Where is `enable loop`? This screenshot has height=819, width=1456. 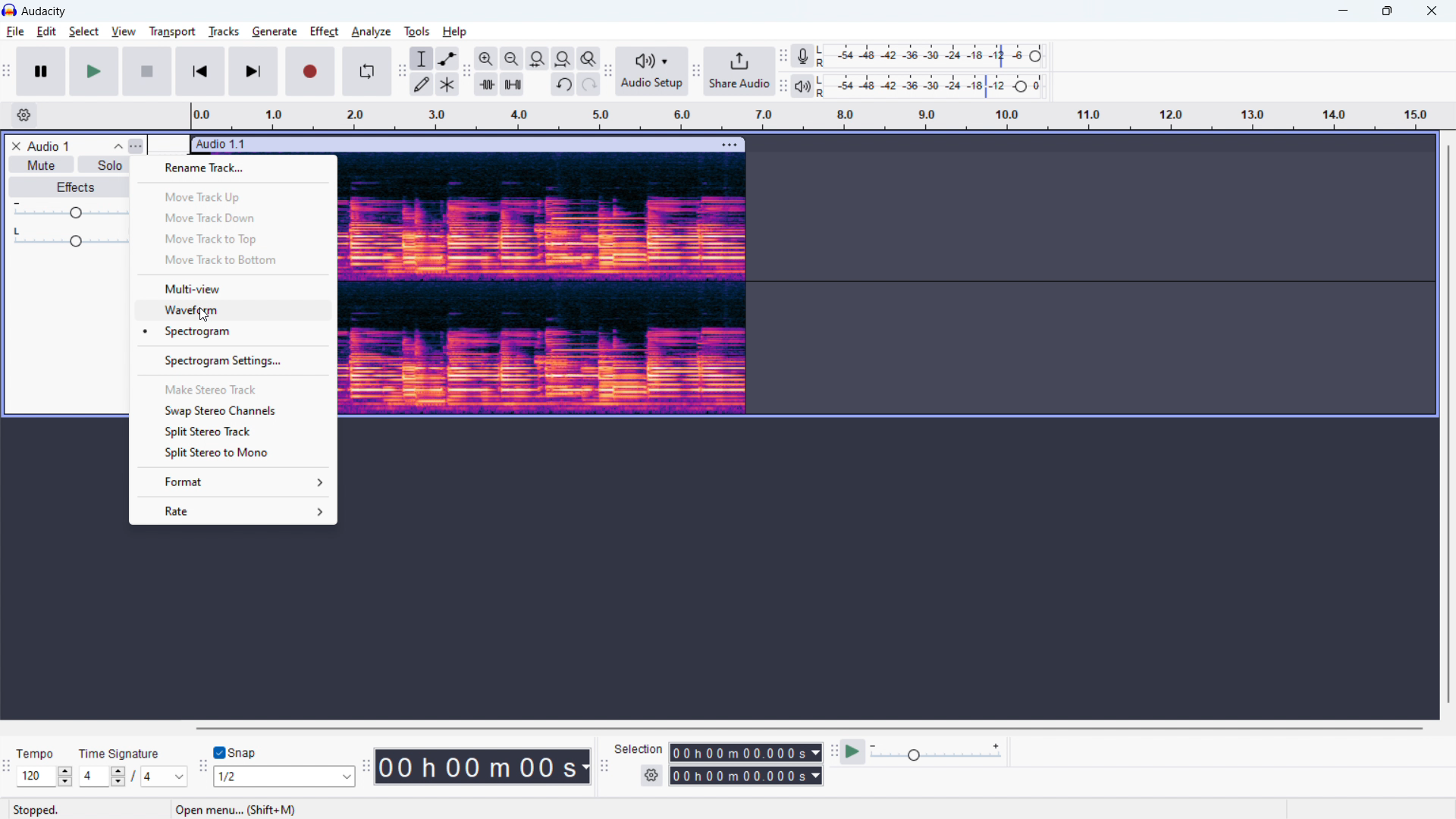 enable loop is located at coordinates (367, 73).